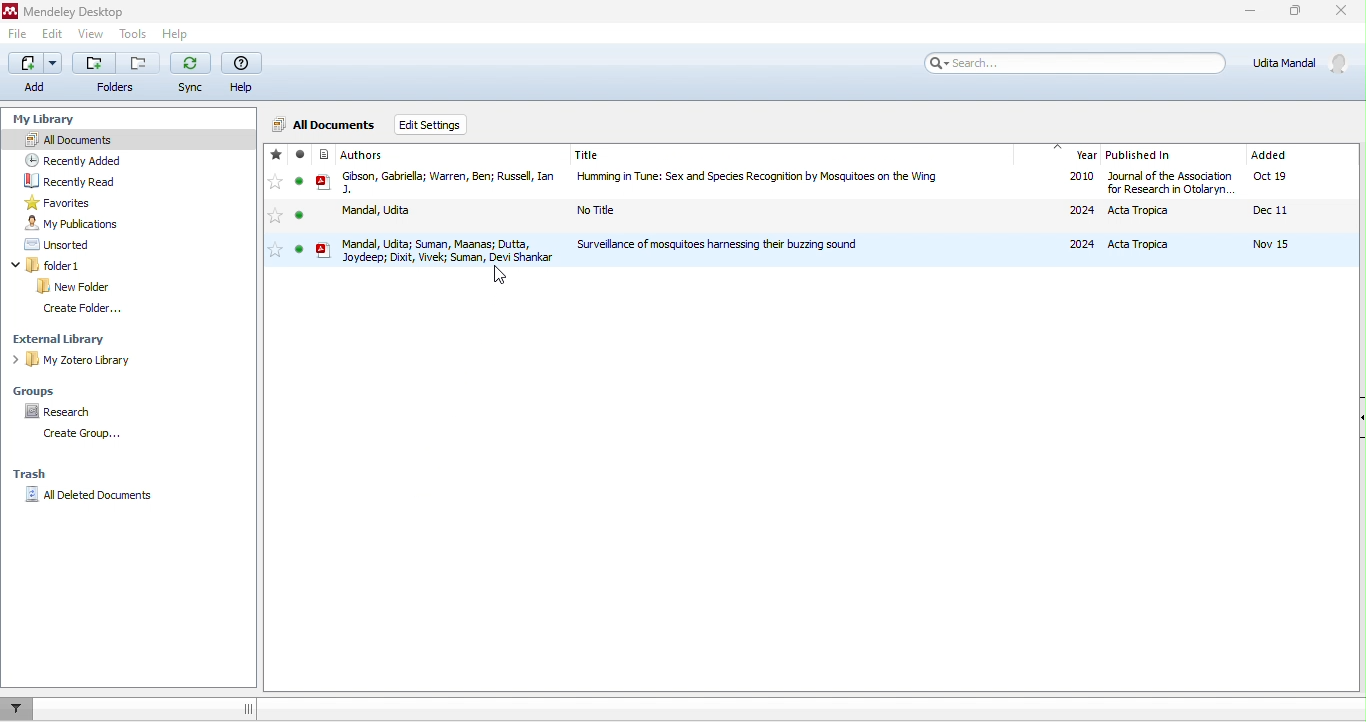  Describe the element at coordinates (65, 11) in the screenshot. I see `Mendeley Desktop` at that location.